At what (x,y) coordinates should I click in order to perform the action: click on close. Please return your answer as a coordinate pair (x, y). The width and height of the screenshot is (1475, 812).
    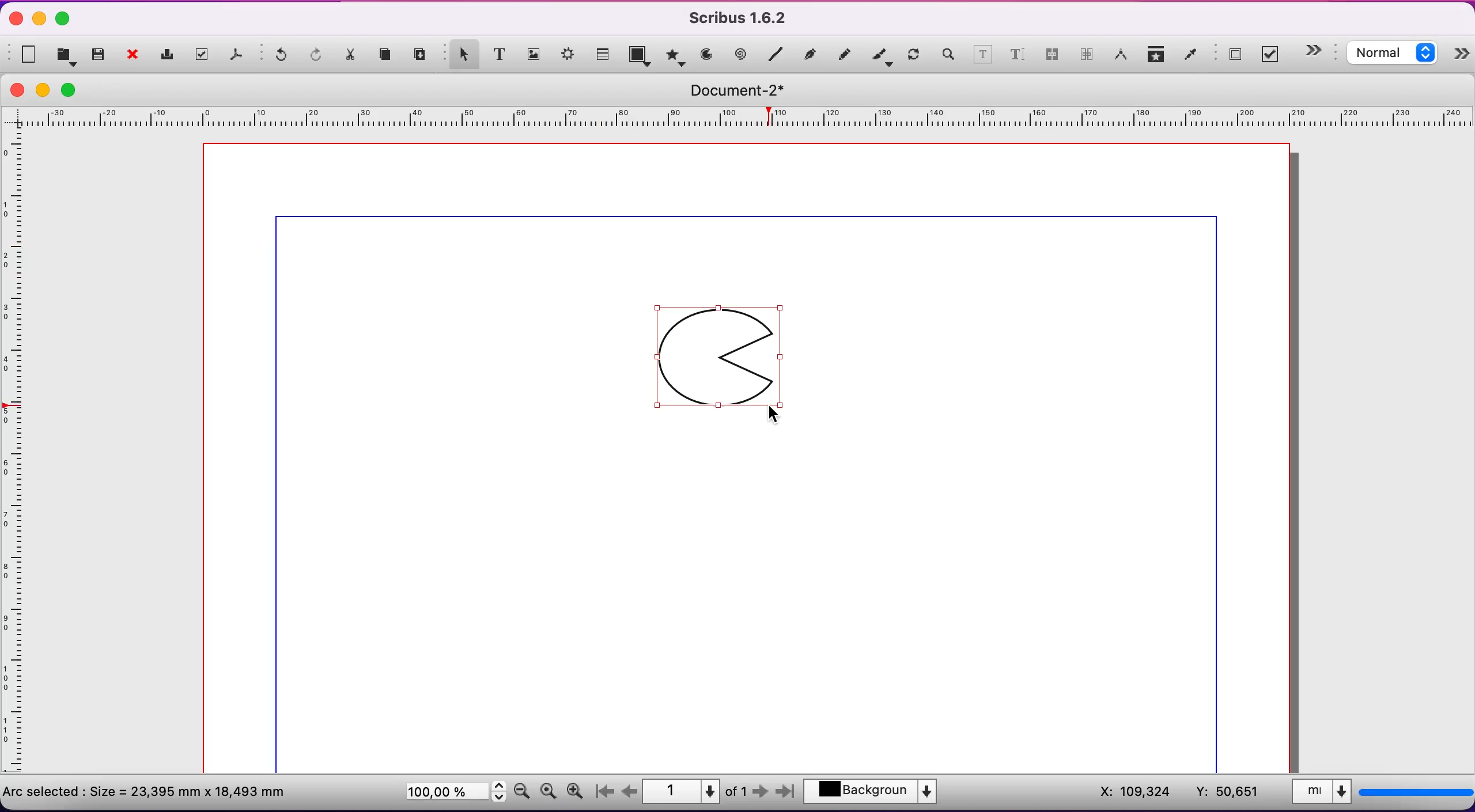
    Looking at the image, I should click on (13, 20).